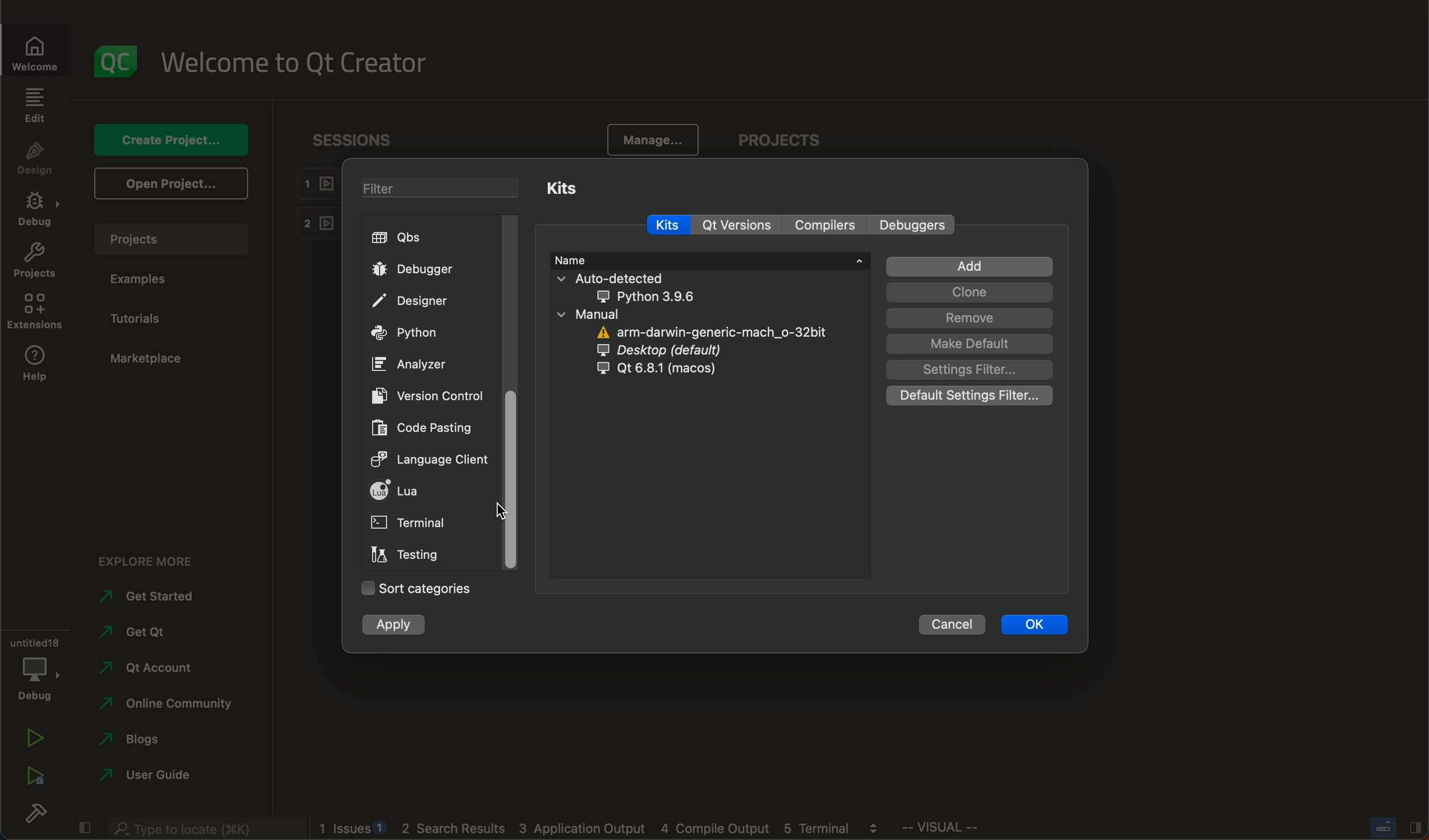 The width and height of the screenshot is (1429, 840). I want to click on compilers, so click(825, 224).